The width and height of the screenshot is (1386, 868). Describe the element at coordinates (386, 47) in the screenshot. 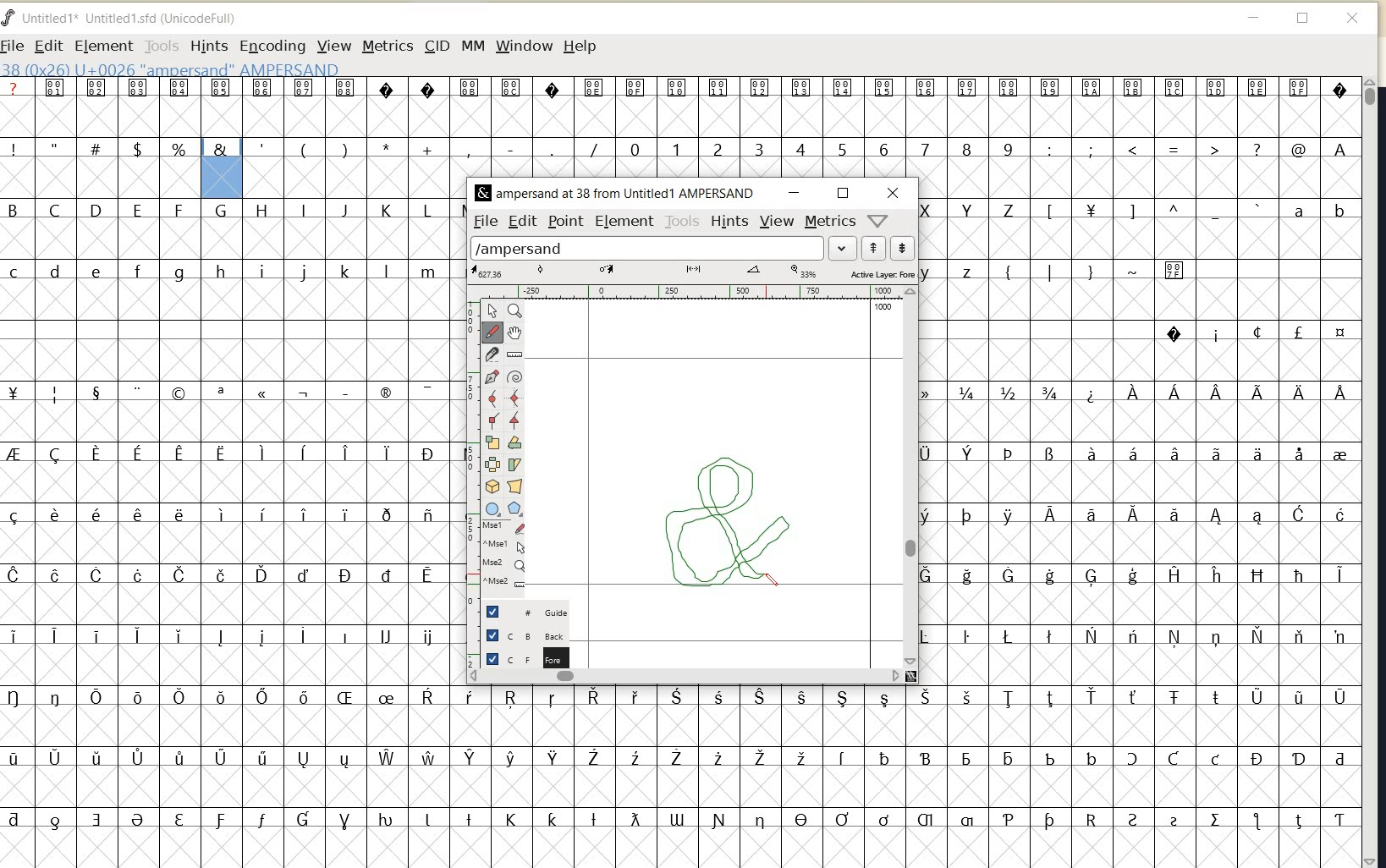

I see `METRICS` at that location.